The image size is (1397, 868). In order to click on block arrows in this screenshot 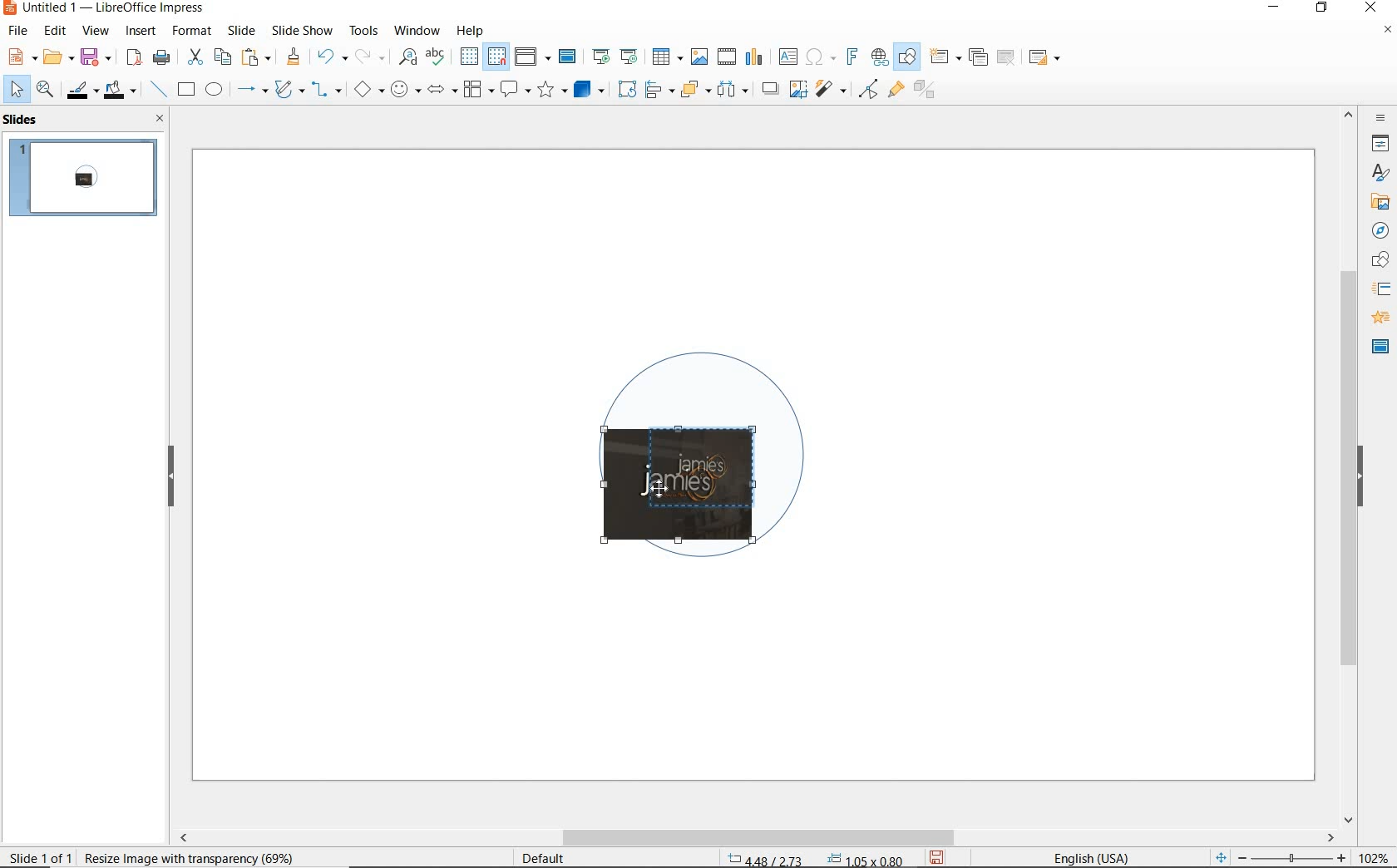, I will do `click(439, 91)`.